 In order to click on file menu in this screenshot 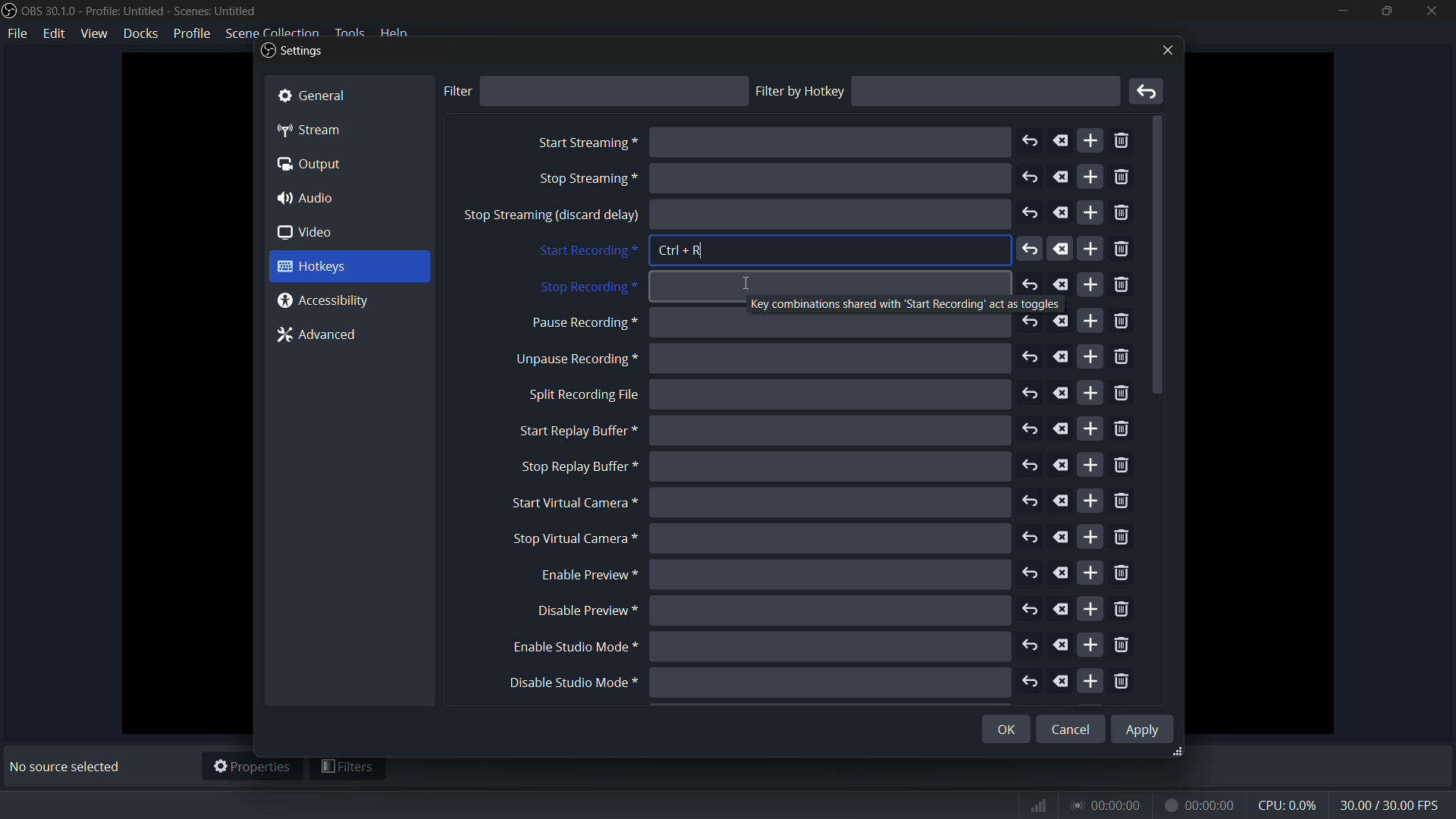, I will do `click(18, 34)`.